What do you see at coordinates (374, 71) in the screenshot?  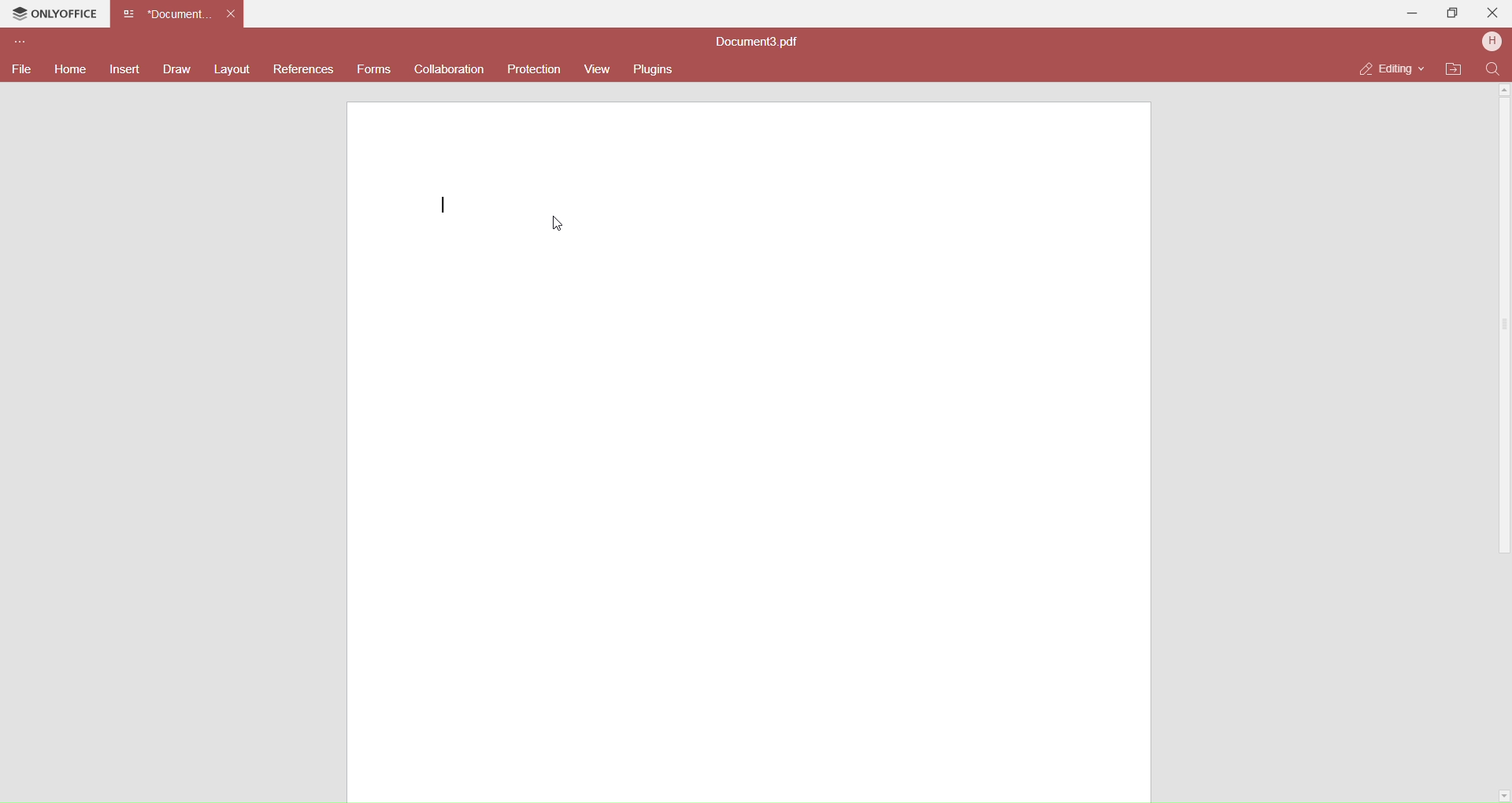 I see `Forms` at bounding box center [374, 71].